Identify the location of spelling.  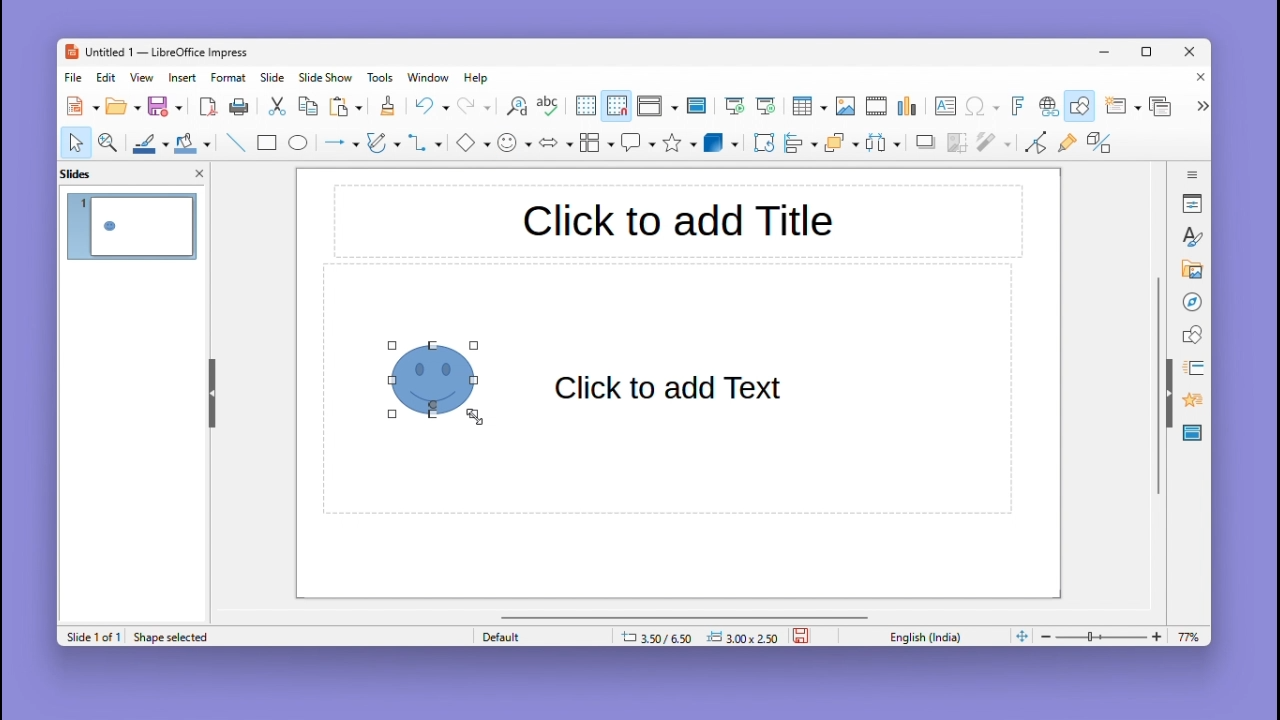
(548, 107).